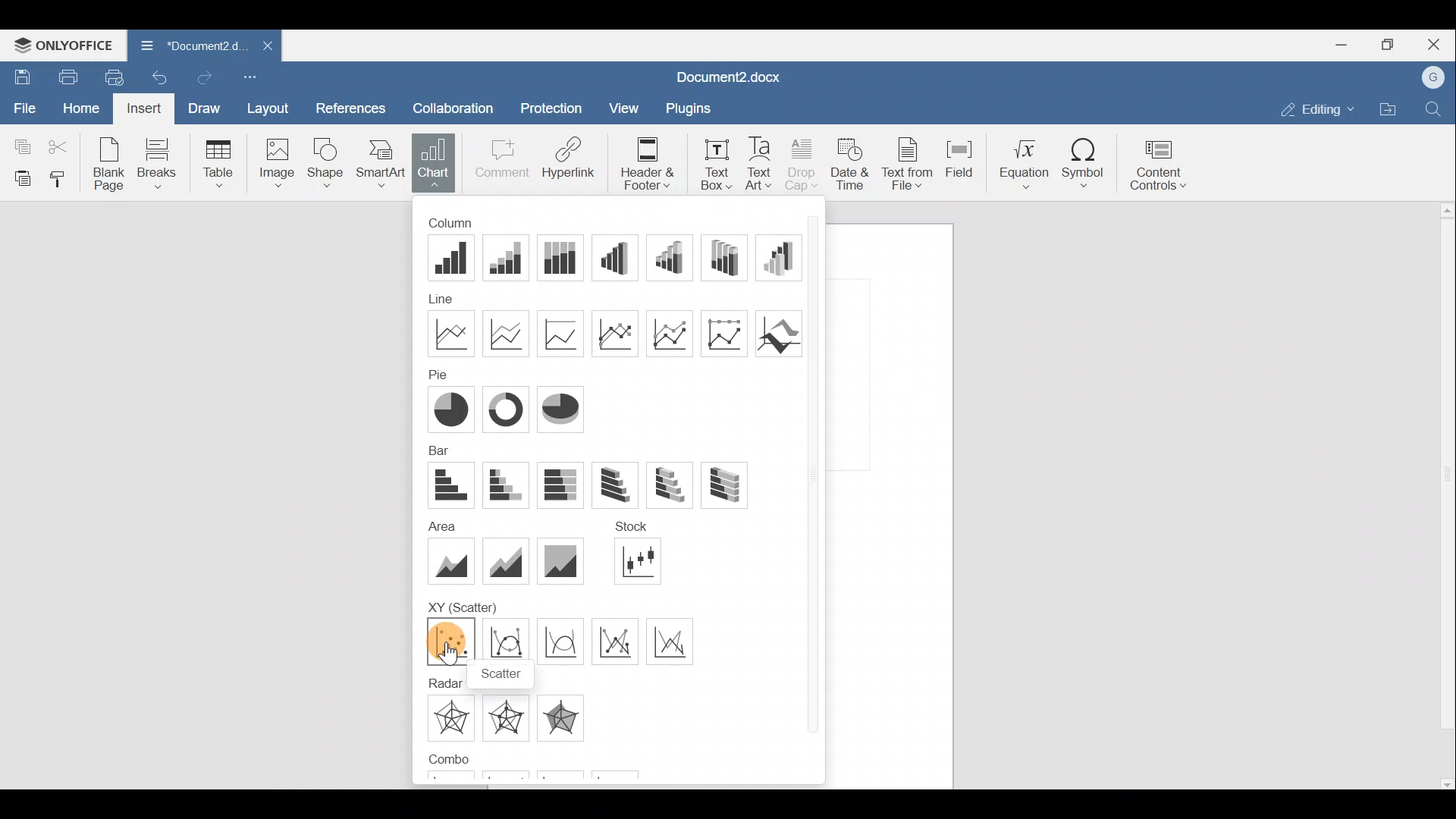  Describe the element at coordinates (463, 224) in the screenshot. I see `Column` at that location.